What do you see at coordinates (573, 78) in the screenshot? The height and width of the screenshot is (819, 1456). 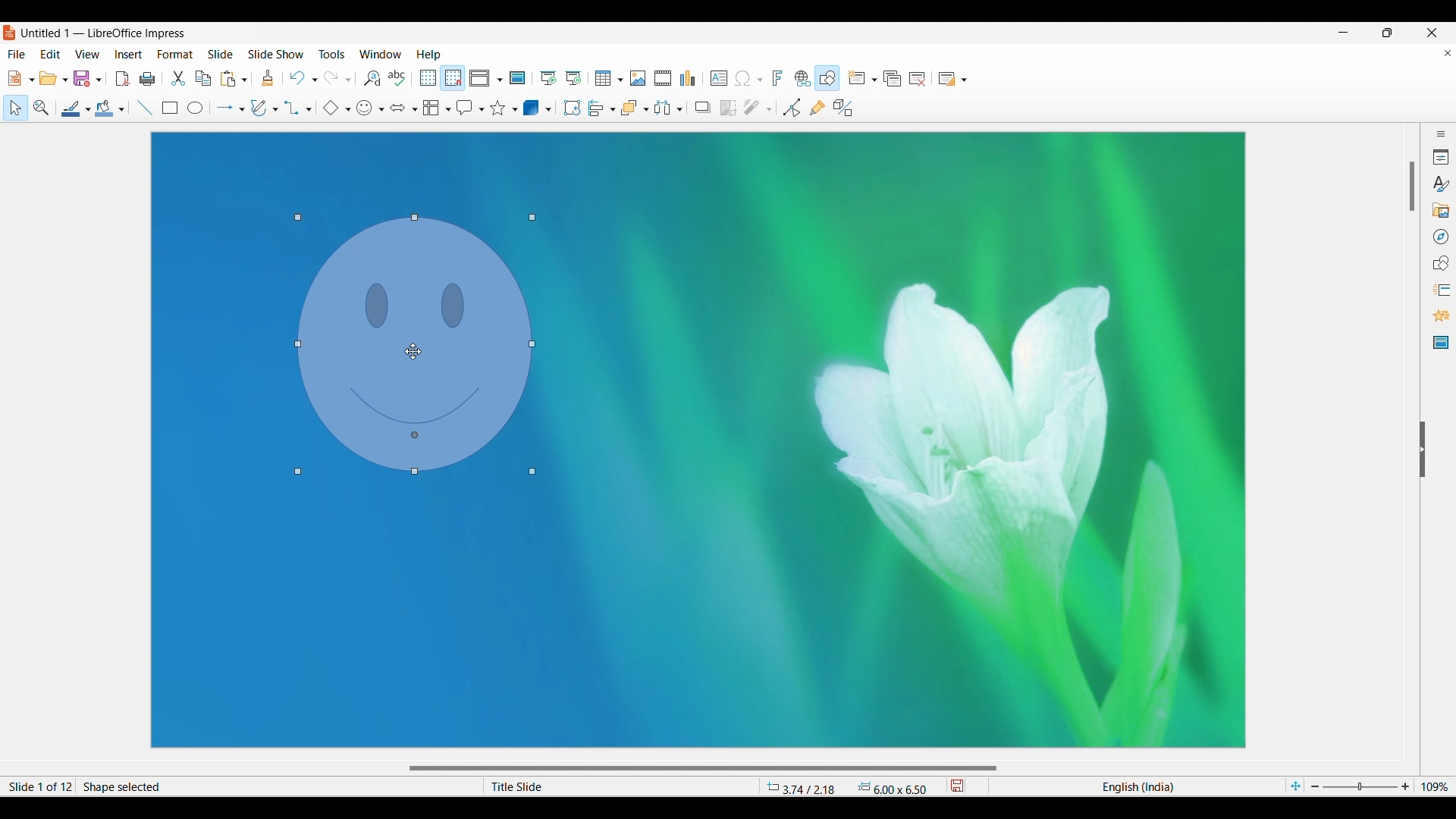 I see `Start from current slide` at bounding box center [573, 78].